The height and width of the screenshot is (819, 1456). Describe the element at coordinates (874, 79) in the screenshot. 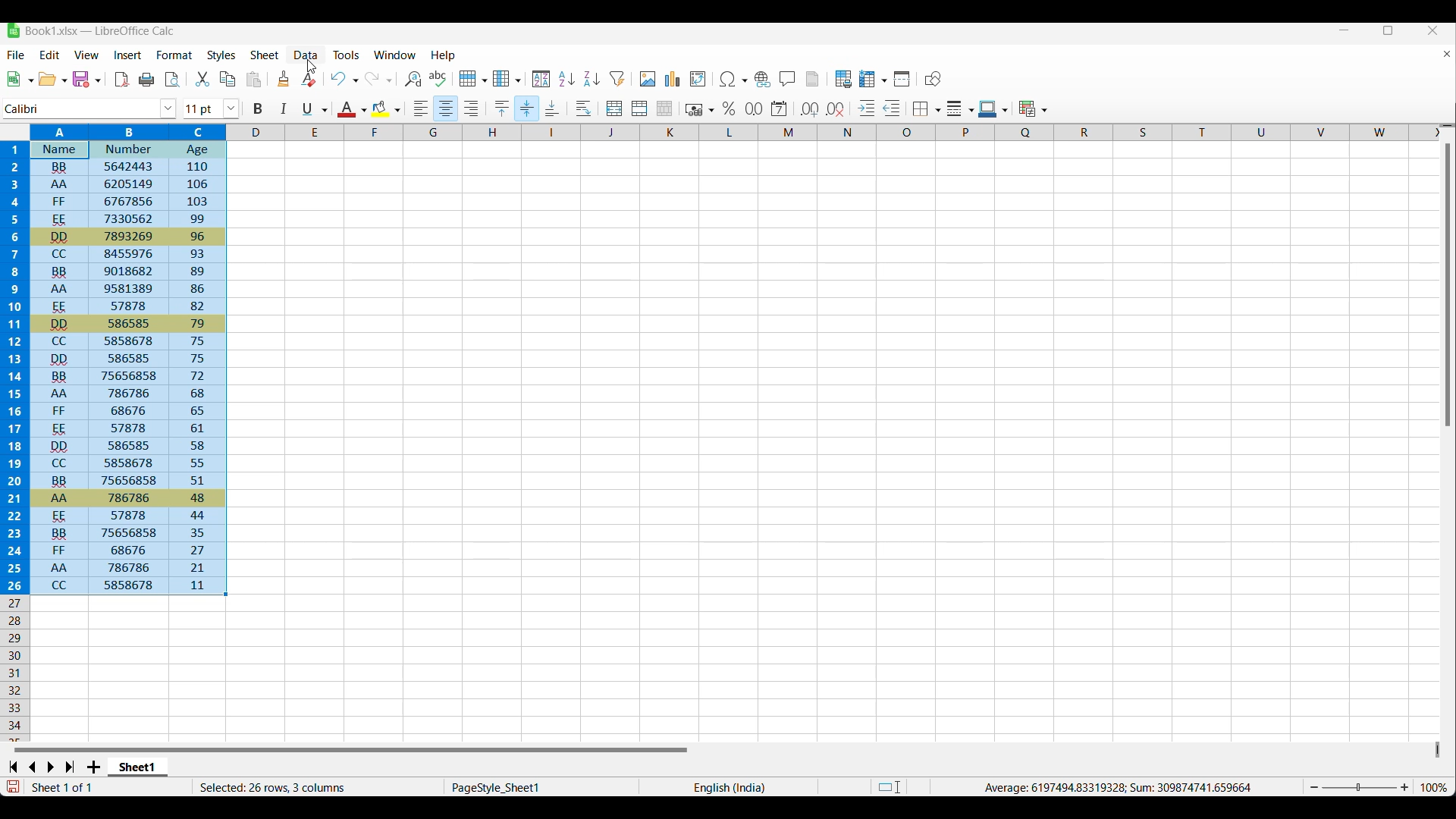

I see `Freeze rows and columns` at that location.